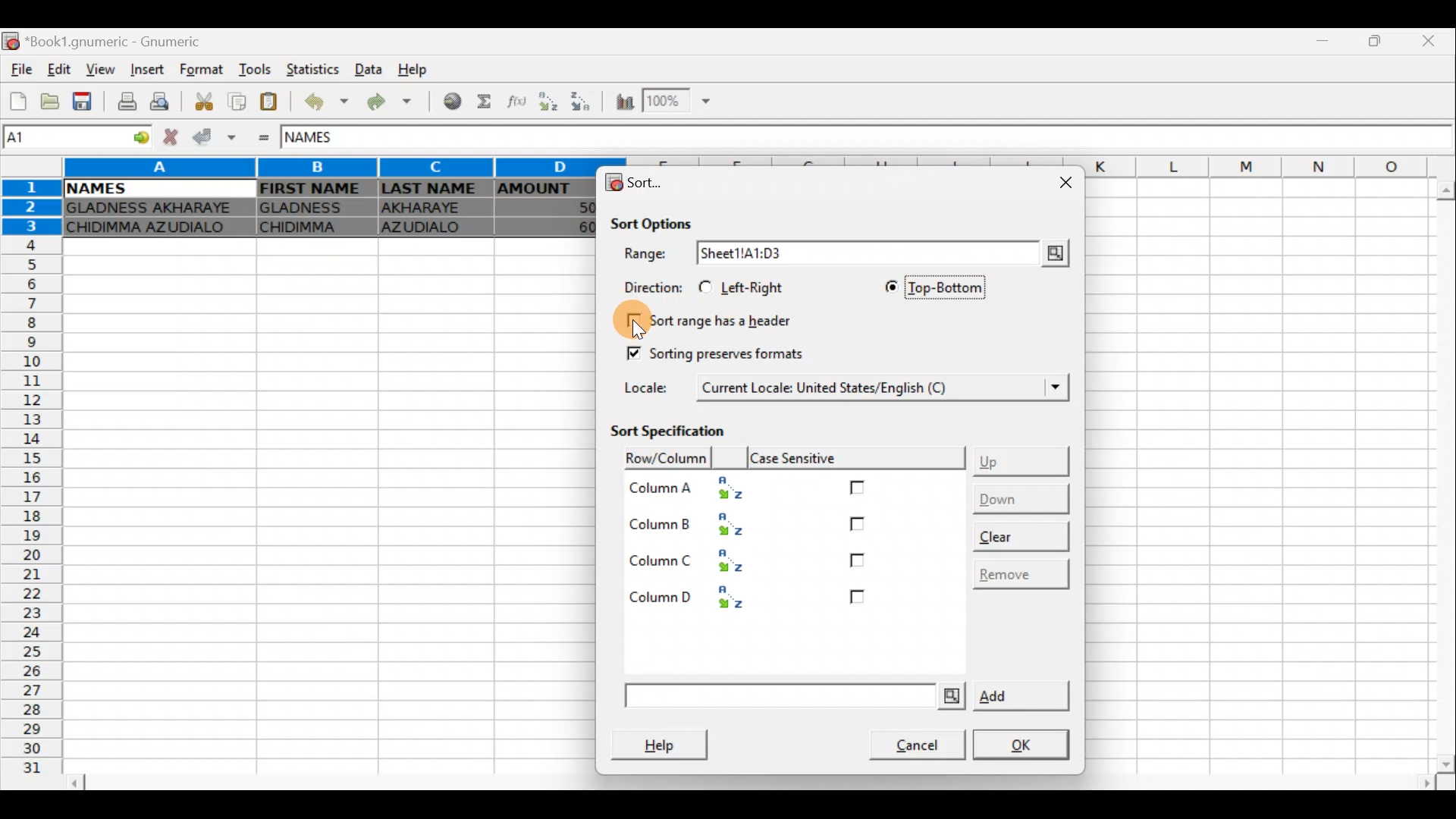 Image resolution: width=1456 pixels, height=819 pixels. I want to click on Scroll bar, so click(1437, 475).